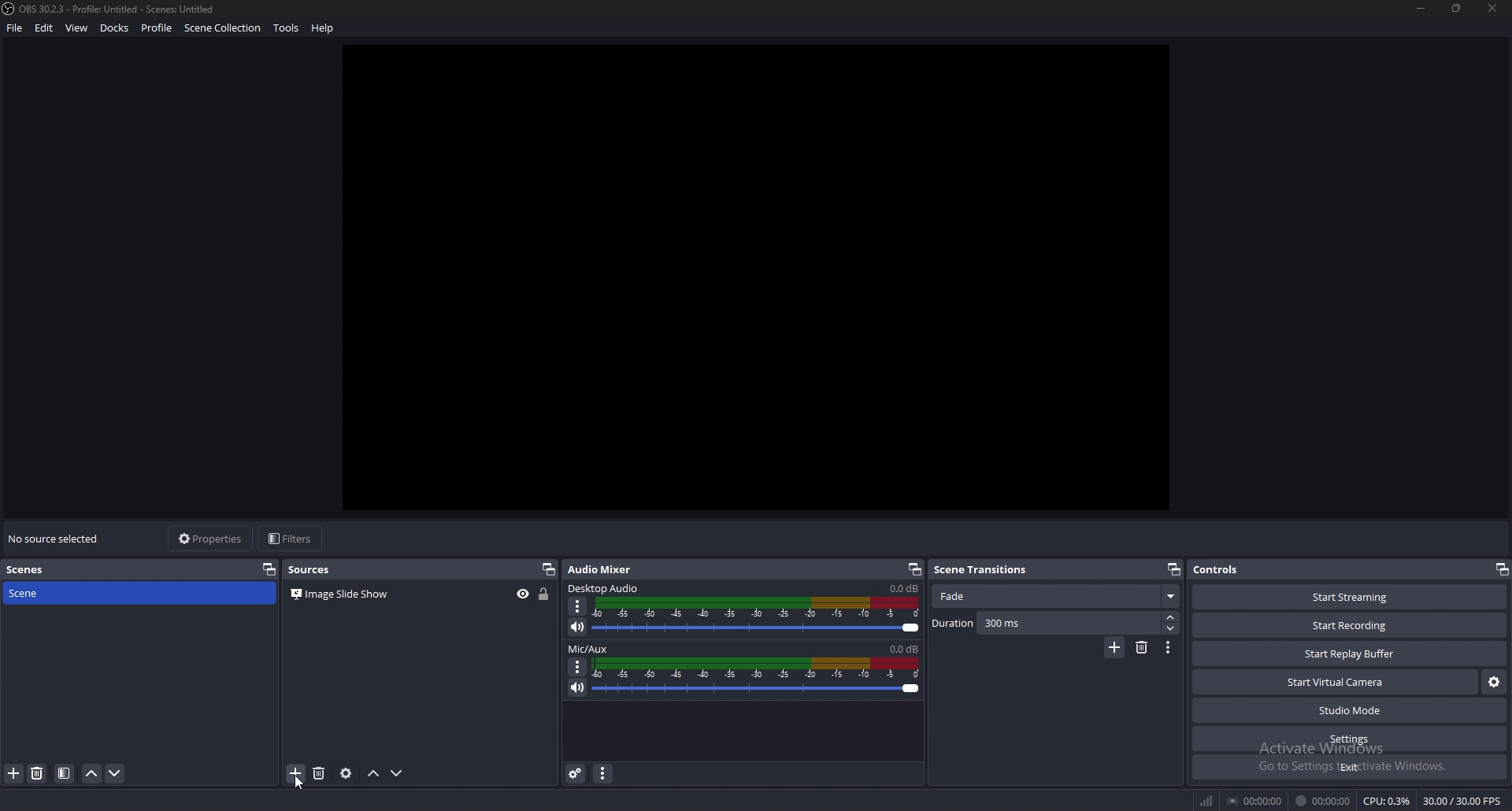  What do you see at coordinates (1493, 9) in the screenshot?
I see `close` at bounding box center [1493, 9].